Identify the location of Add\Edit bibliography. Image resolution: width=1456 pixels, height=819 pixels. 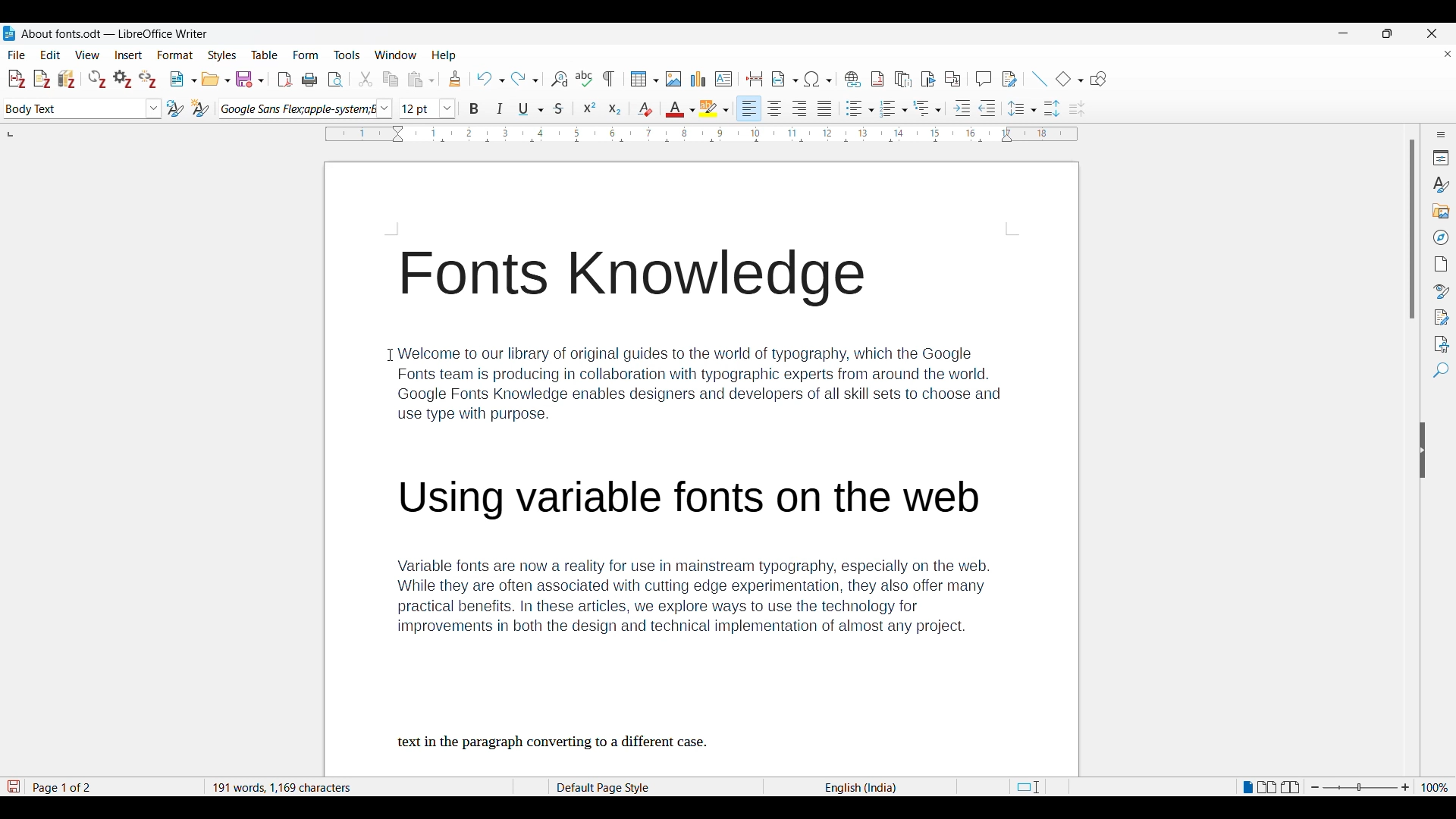
(67, 79).